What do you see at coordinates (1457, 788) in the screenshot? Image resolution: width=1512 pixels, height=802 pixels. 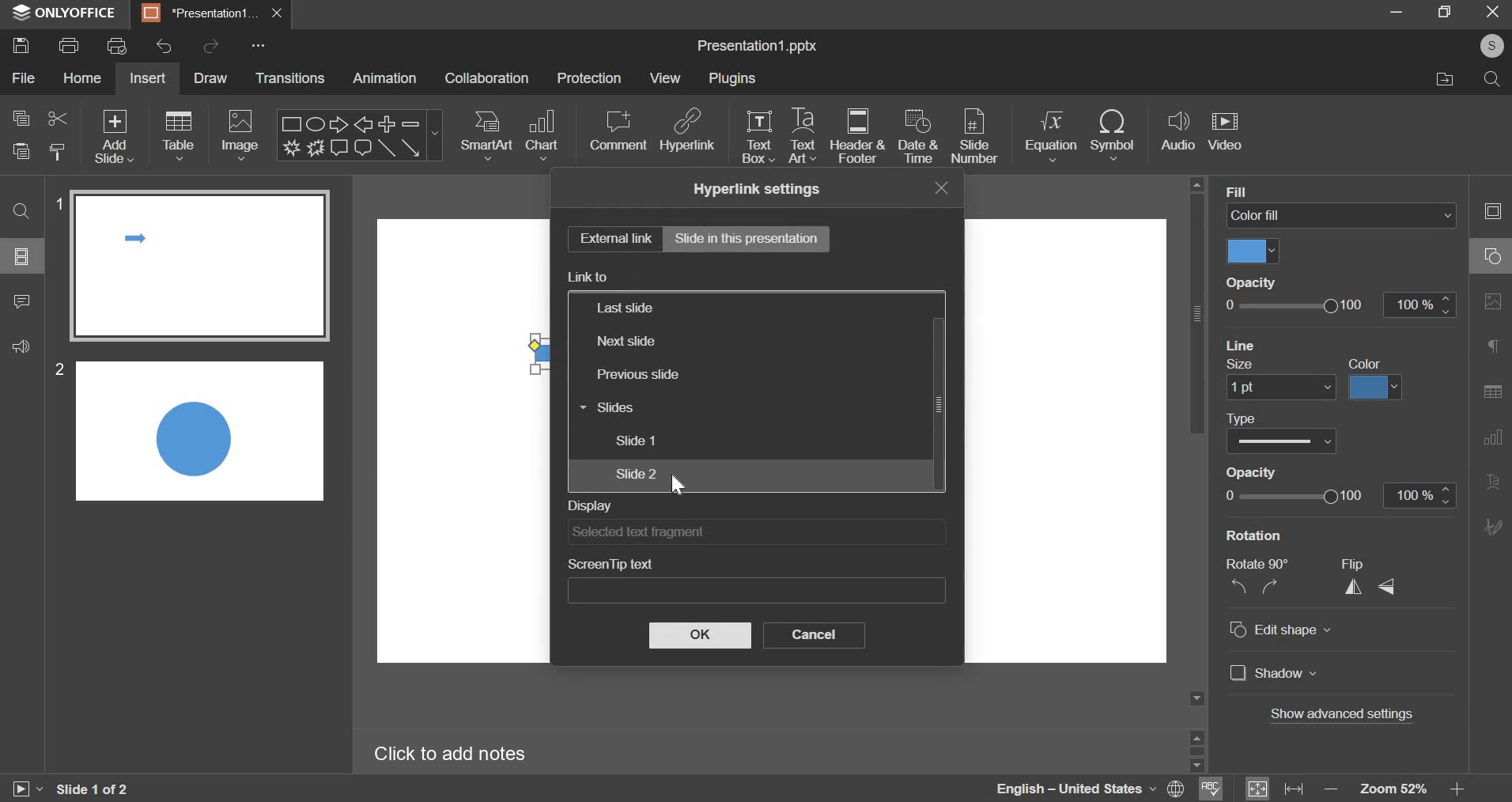 I see `increase zoom` at bounding box center [1457, 788].